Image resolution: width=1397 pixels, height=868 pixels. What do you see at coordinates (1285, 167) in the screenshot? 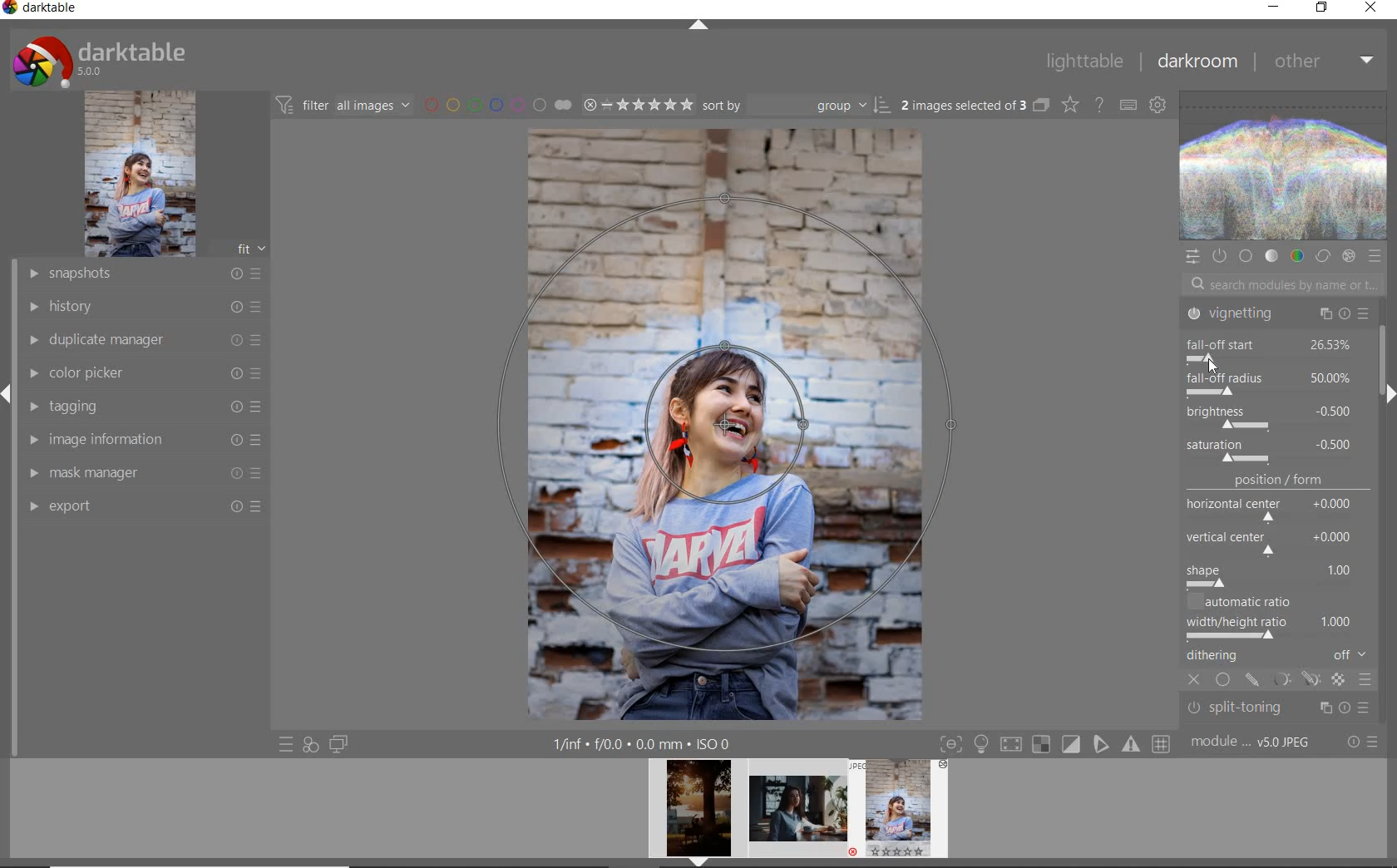
I see `wave form` at bounding box center [1285, 167].